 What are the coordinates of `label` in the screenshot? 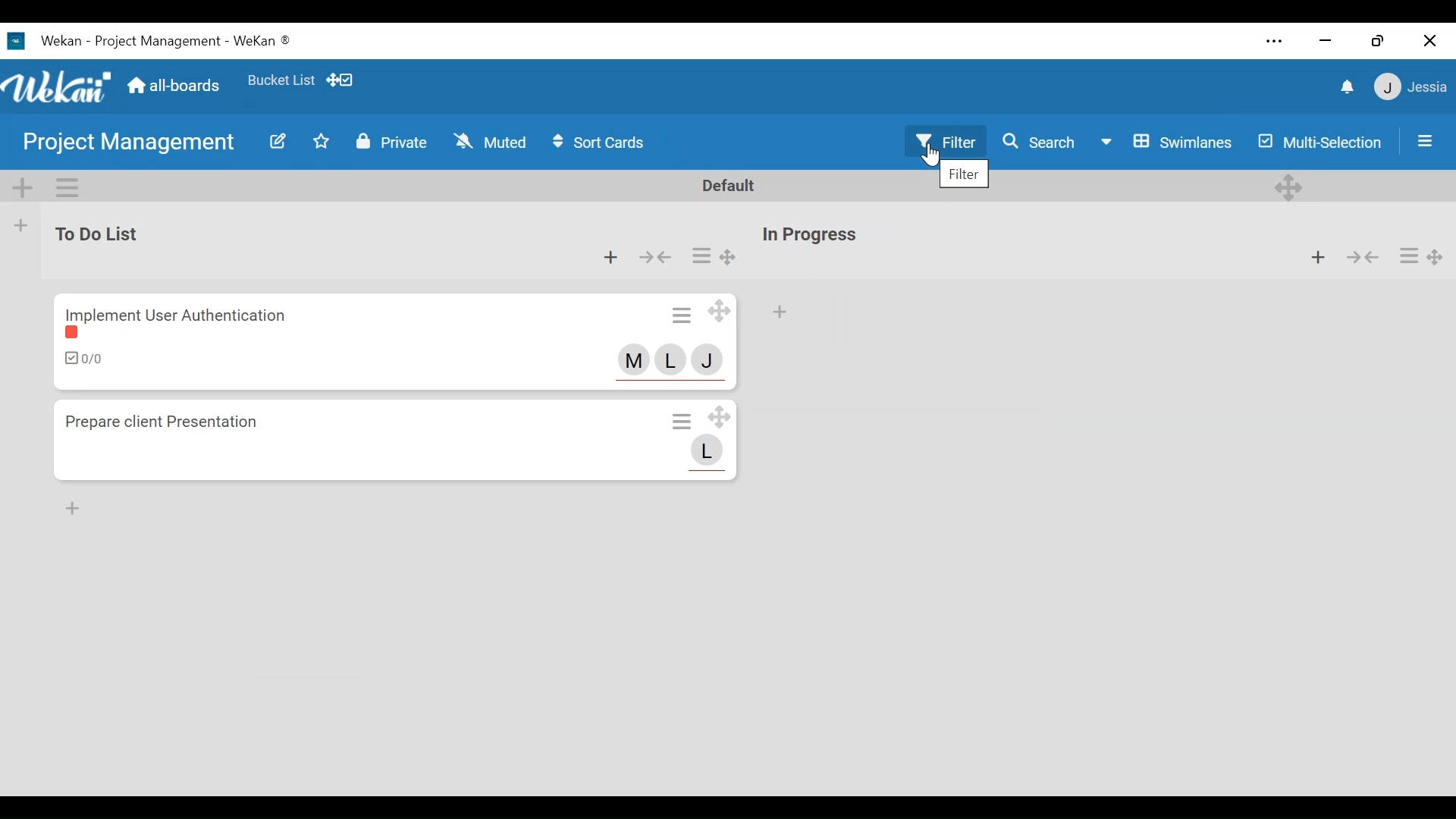 It's located at (71, 334).